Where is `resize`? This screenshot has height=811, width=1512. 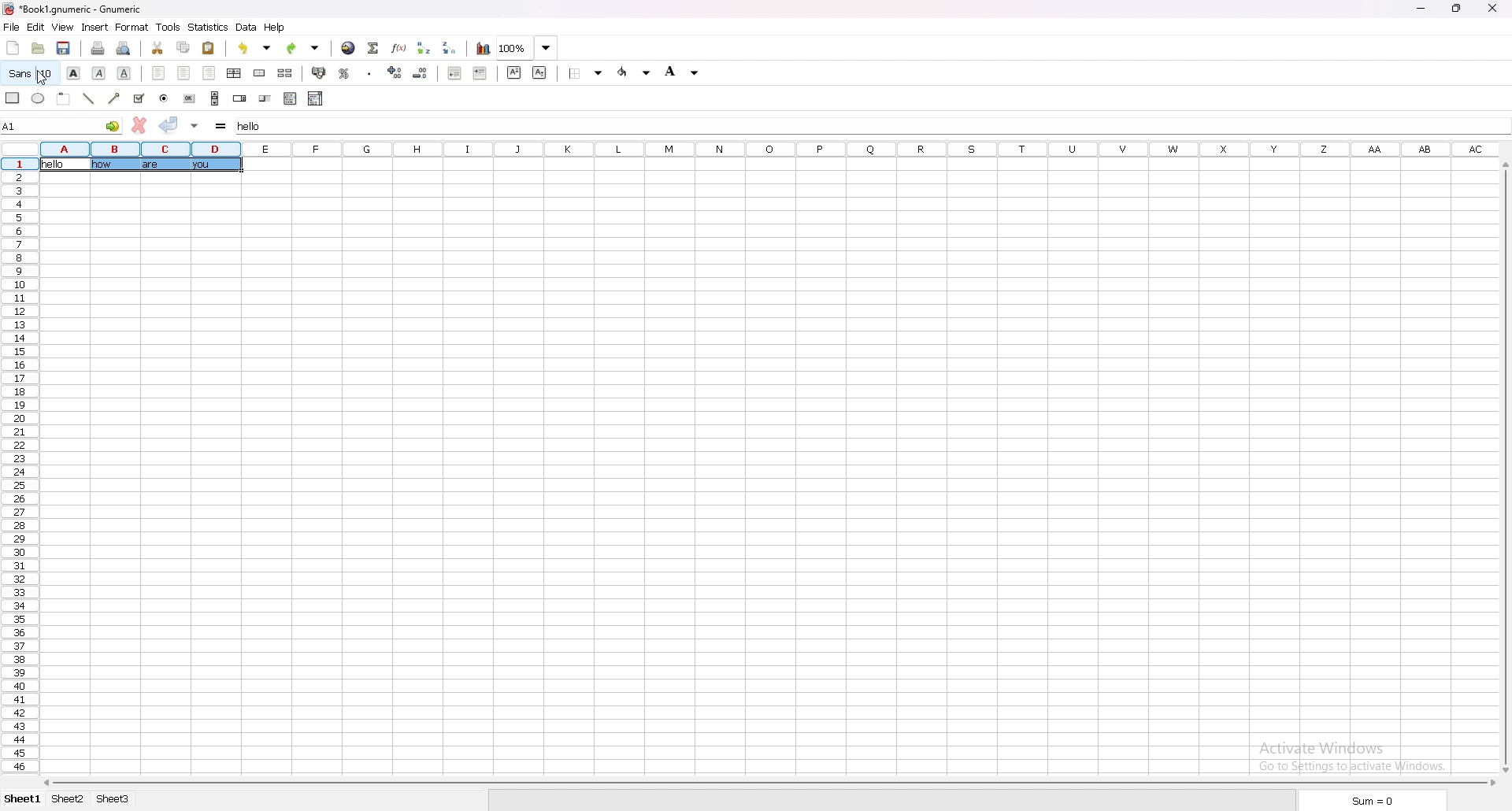 resize is located at coordinates (1459, 8).